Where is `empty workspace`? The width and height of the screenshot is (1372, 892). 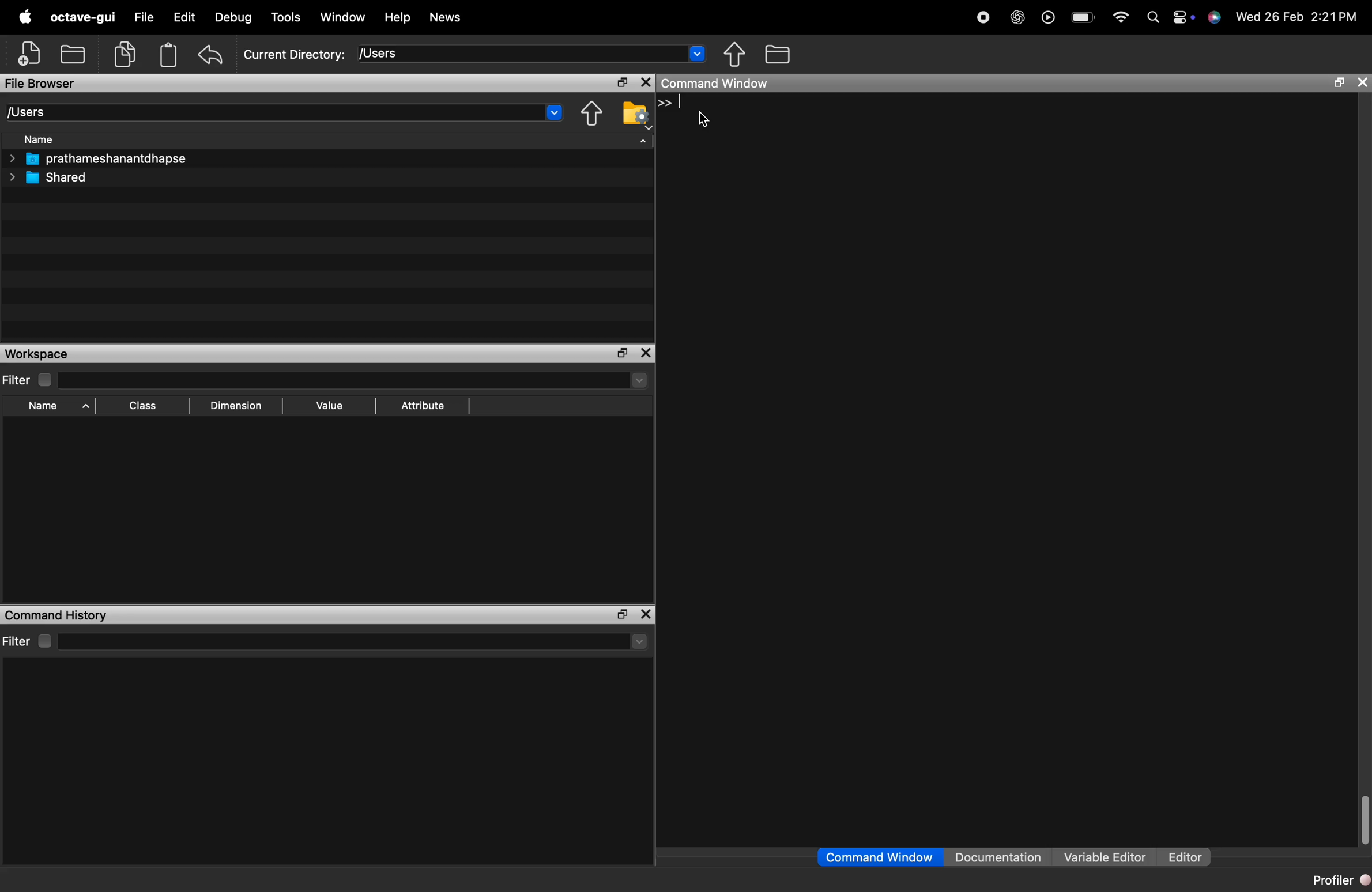
empty workspace is located at coordinates (315, 507).